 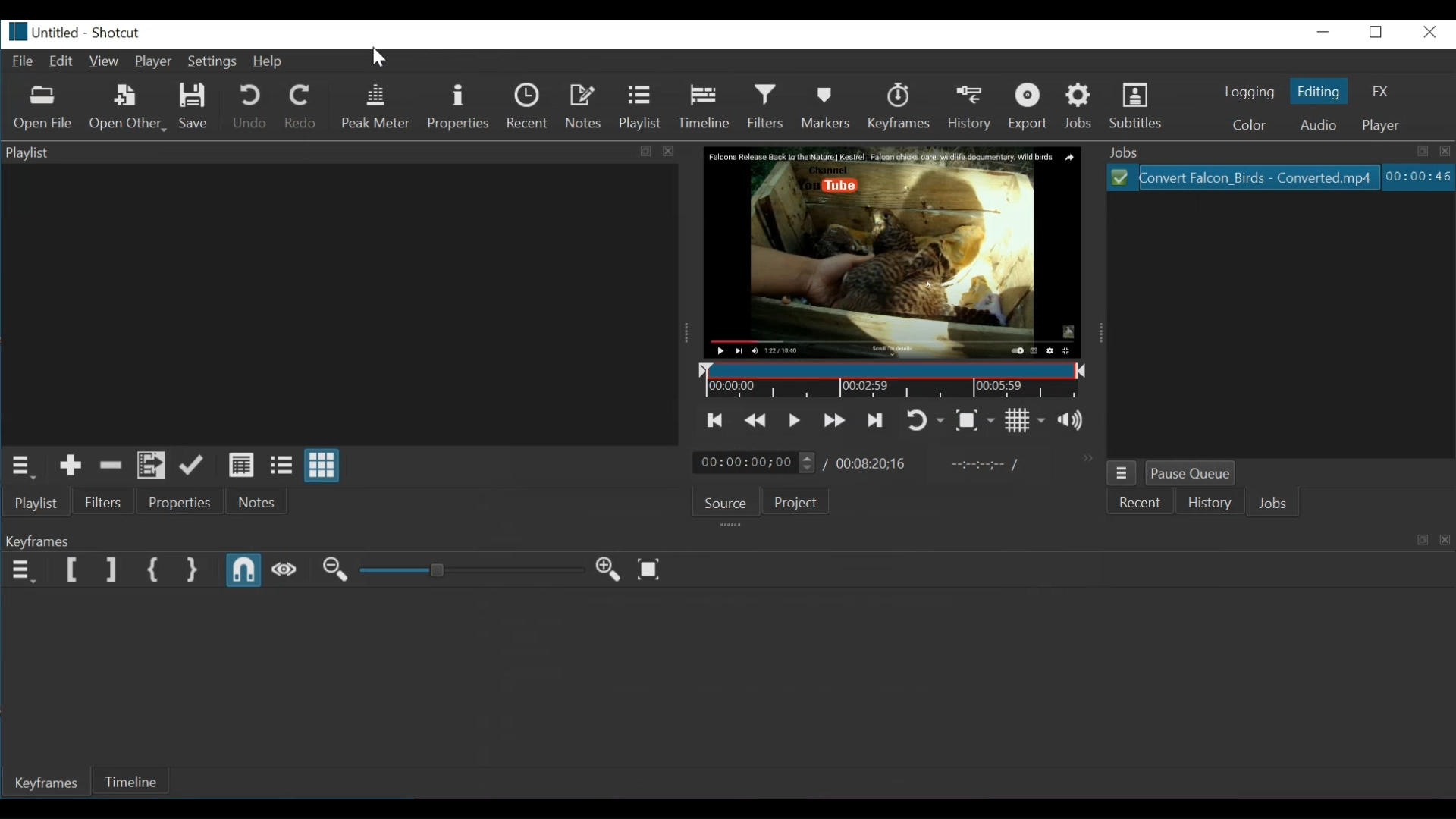 I want to click on Zoom Keyframe in, so click(x=609, y=571).